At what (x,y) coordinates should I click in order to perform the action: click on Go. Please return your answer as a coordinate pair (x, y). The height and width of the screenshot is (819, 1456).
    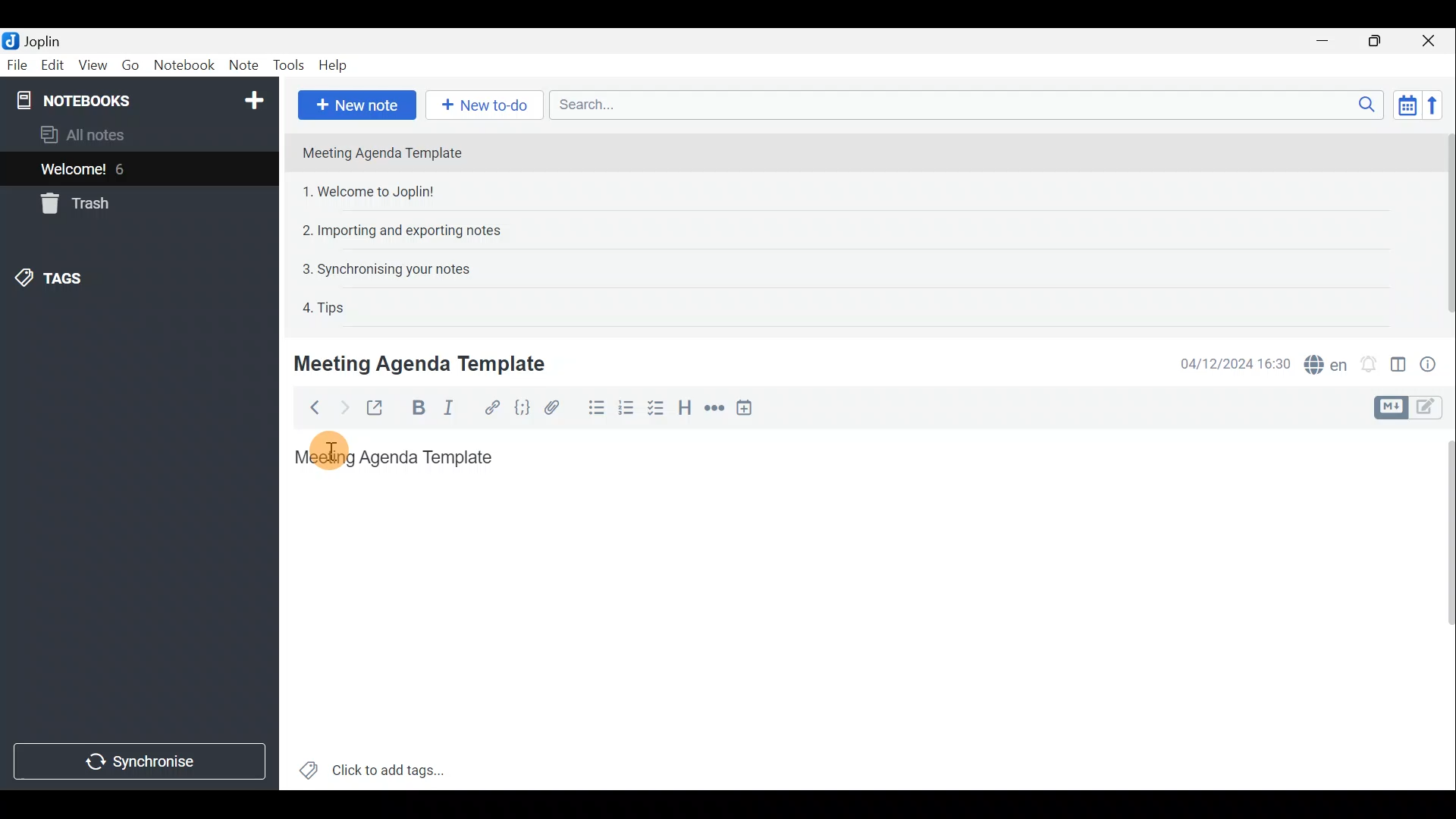
    Looking at the image, I should click on (129, 64).